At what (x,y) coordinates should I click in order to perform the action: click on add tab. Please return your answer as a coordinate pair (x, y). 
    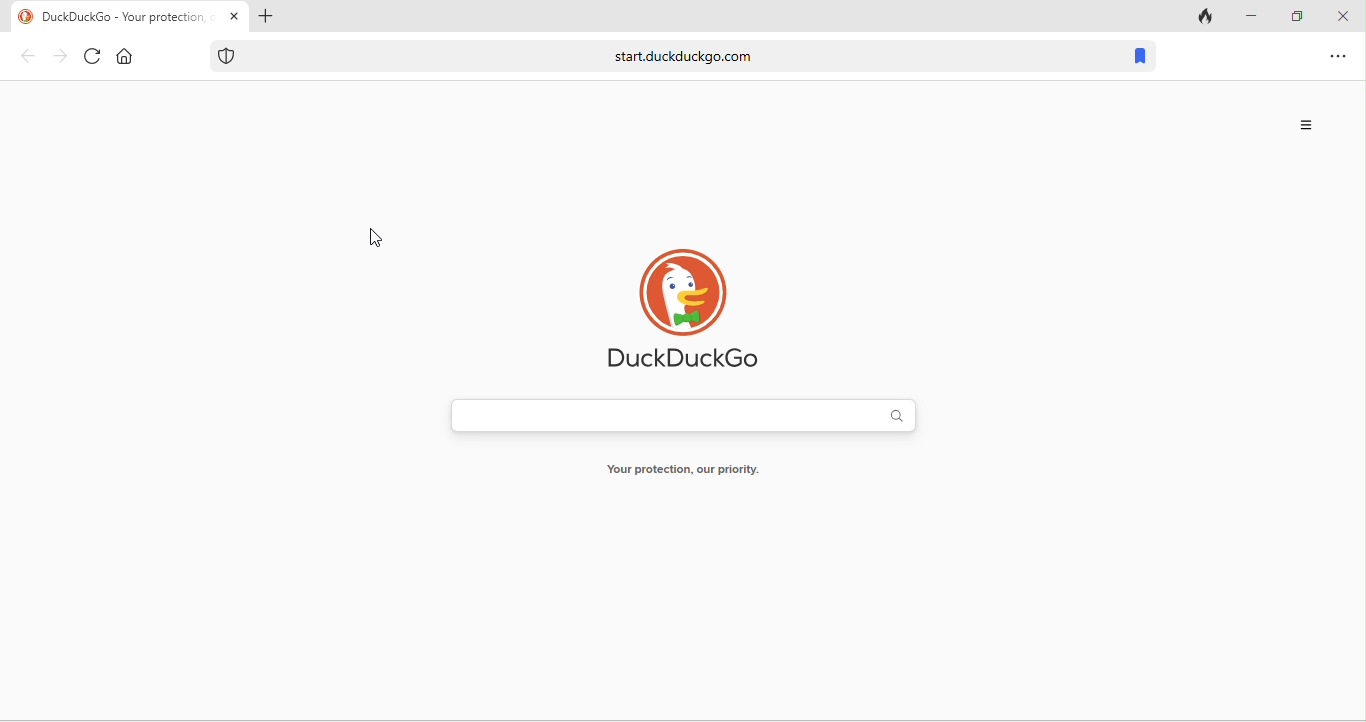
    Looking at the image, I should click on (279, 17).